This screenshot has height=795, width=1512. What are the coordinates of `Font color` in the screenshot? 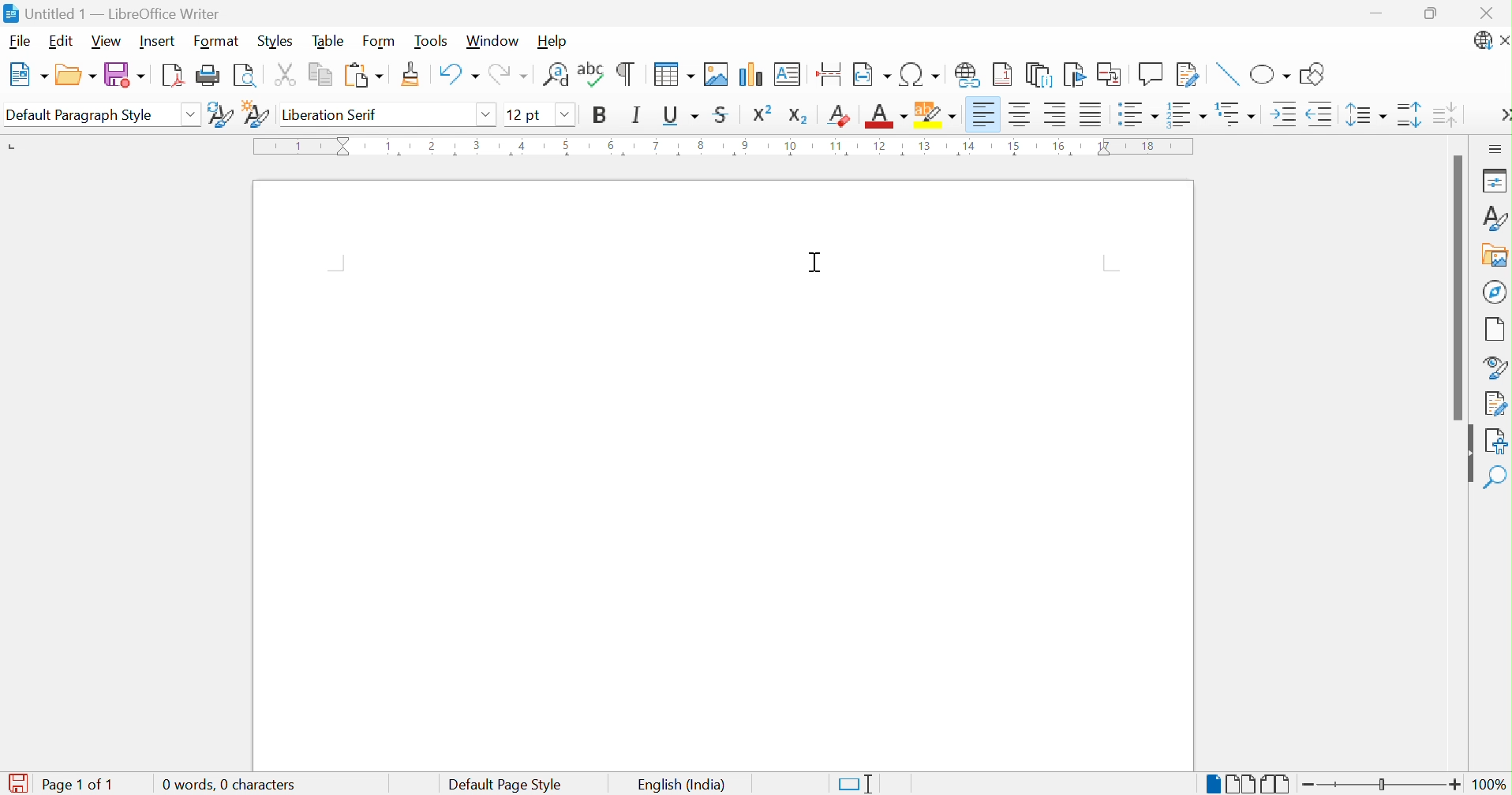 It's located at (886, 118).